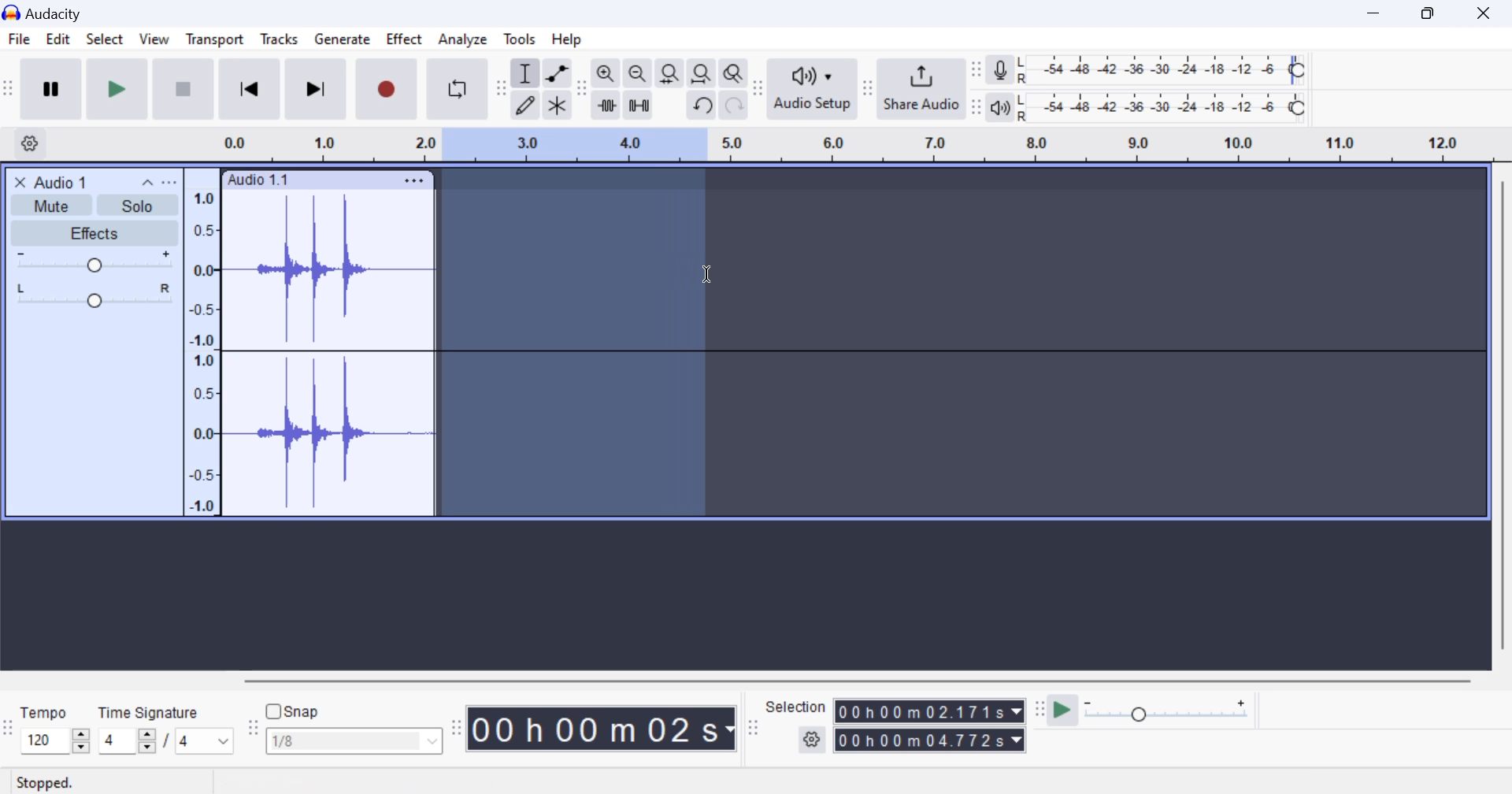 This screenshot has width=1512, height=794. Describe the element at coordinates (327, 354) in the screenshot. I see `Audio Clip` at that location.